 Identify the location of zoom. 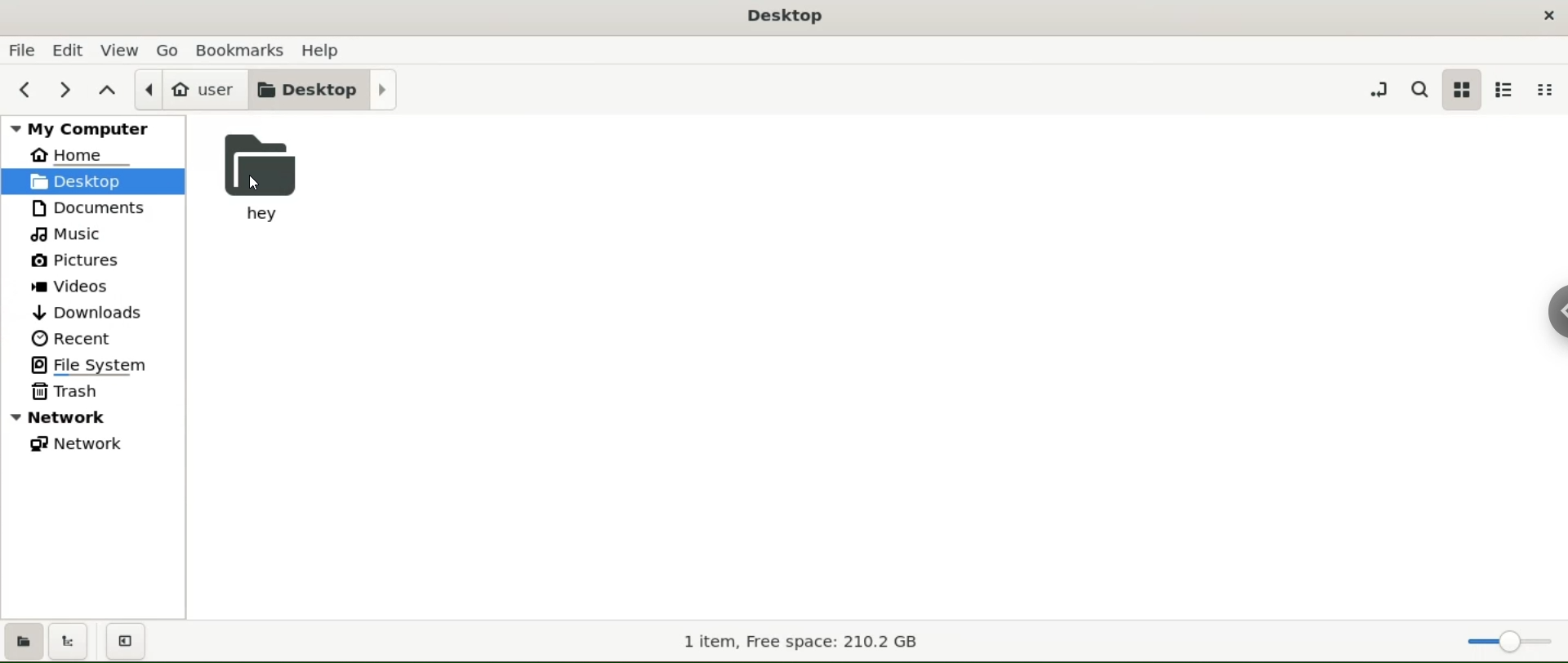
(1509, 638).